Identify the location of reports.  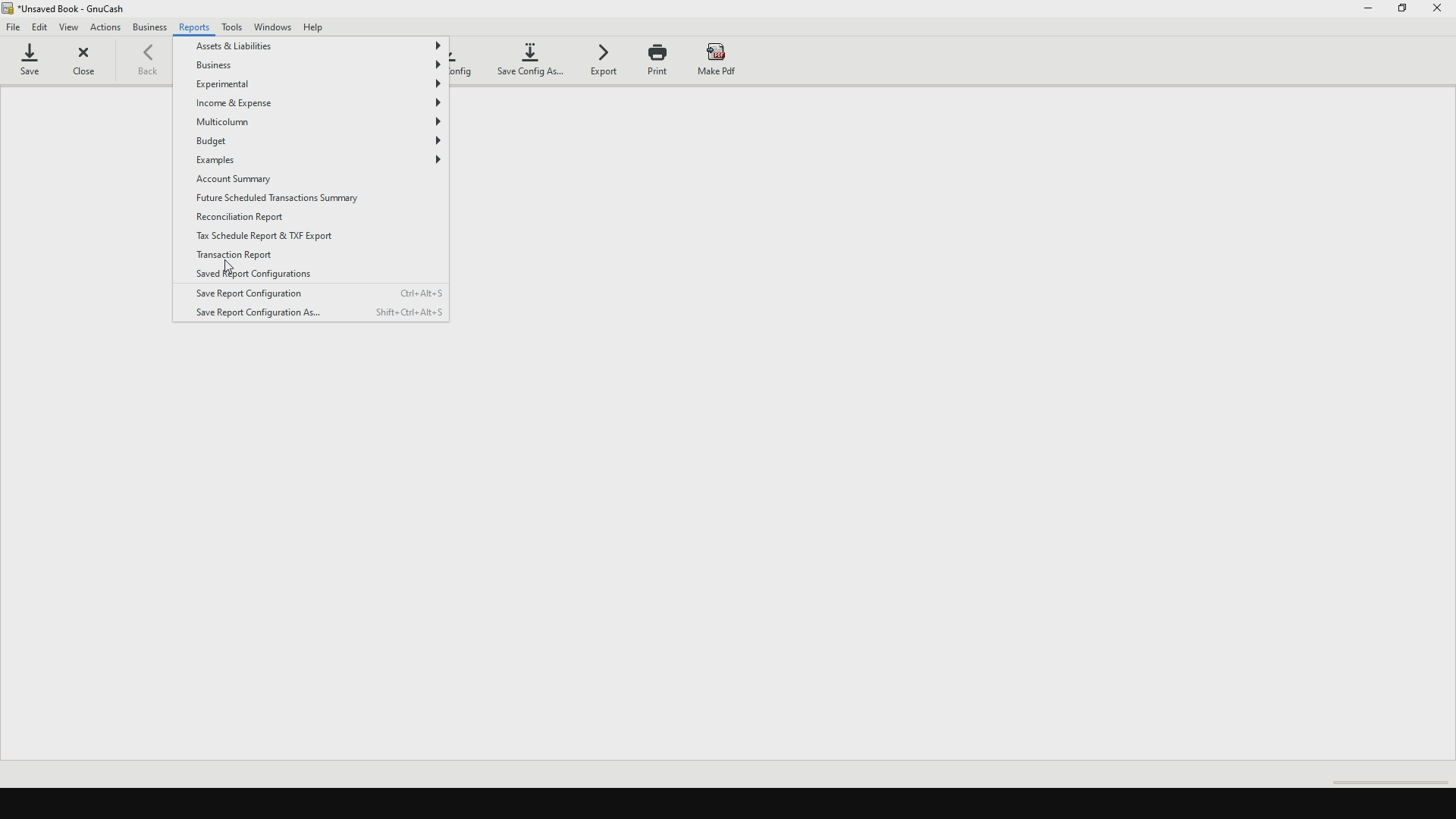
(195, 30).